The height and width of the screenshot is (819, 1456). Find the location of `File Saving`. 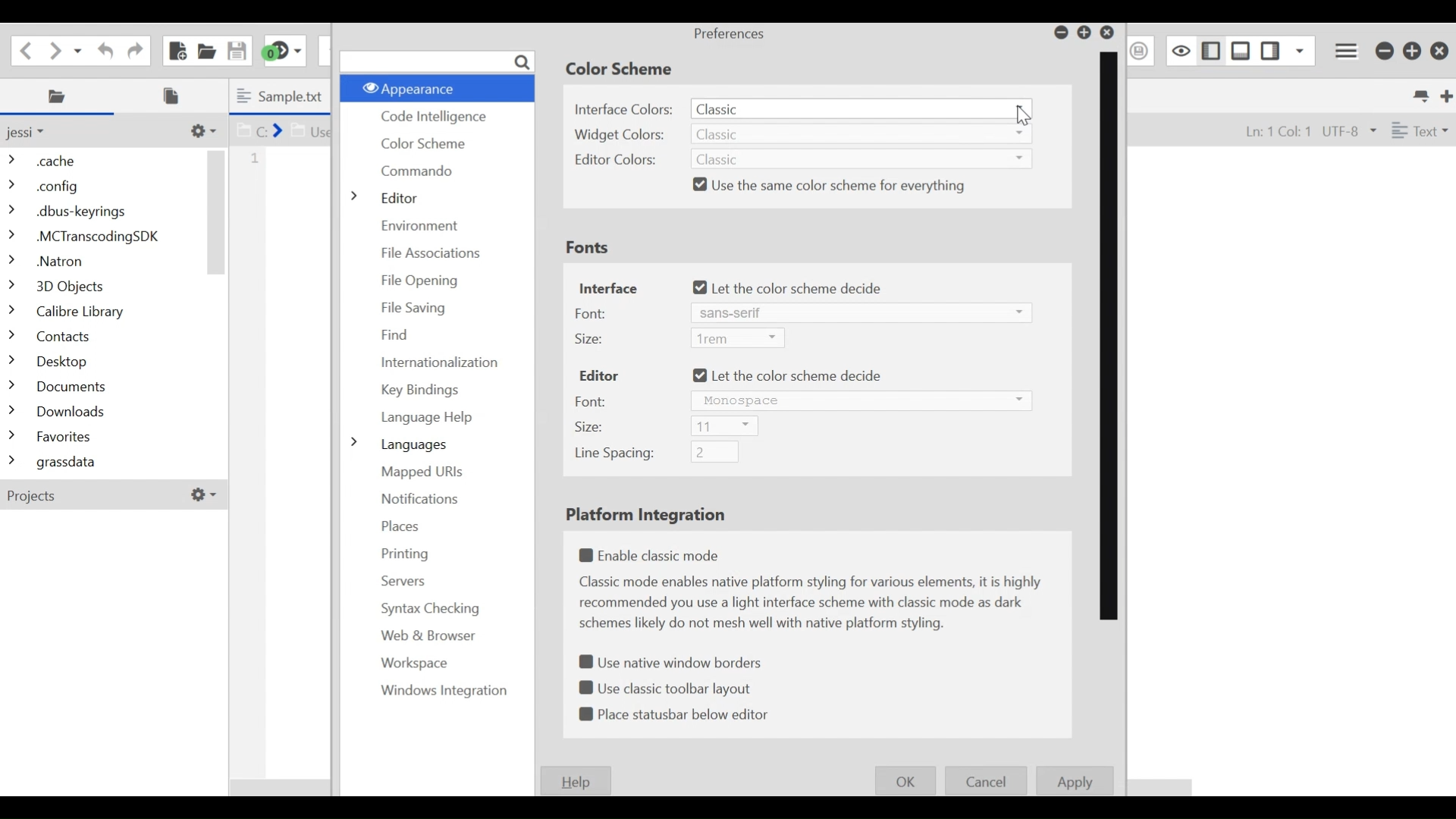

File Saving is located at coordinates (413, 309).